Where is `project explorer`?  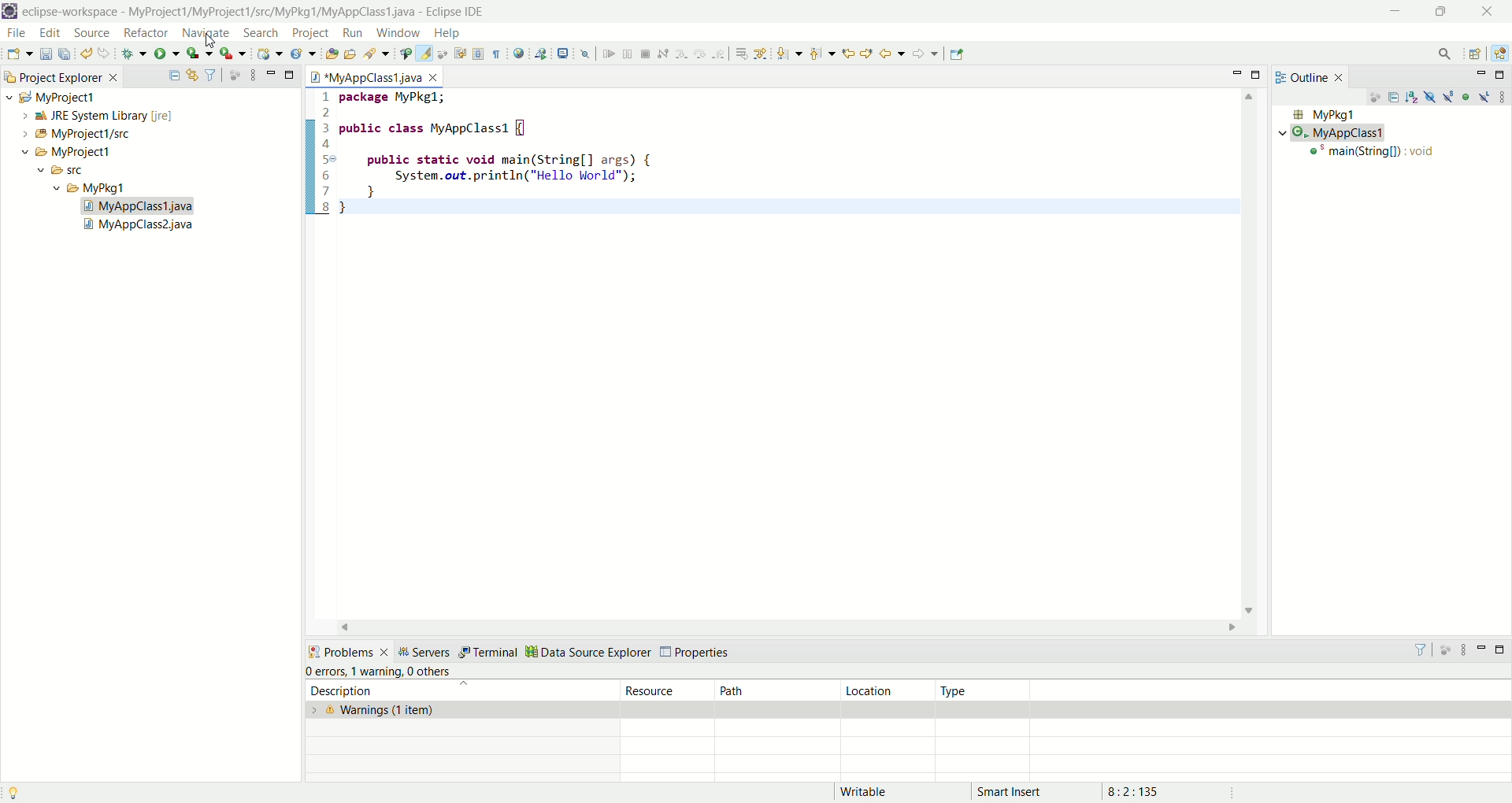
project explorer is located at coordinates (60, 76).